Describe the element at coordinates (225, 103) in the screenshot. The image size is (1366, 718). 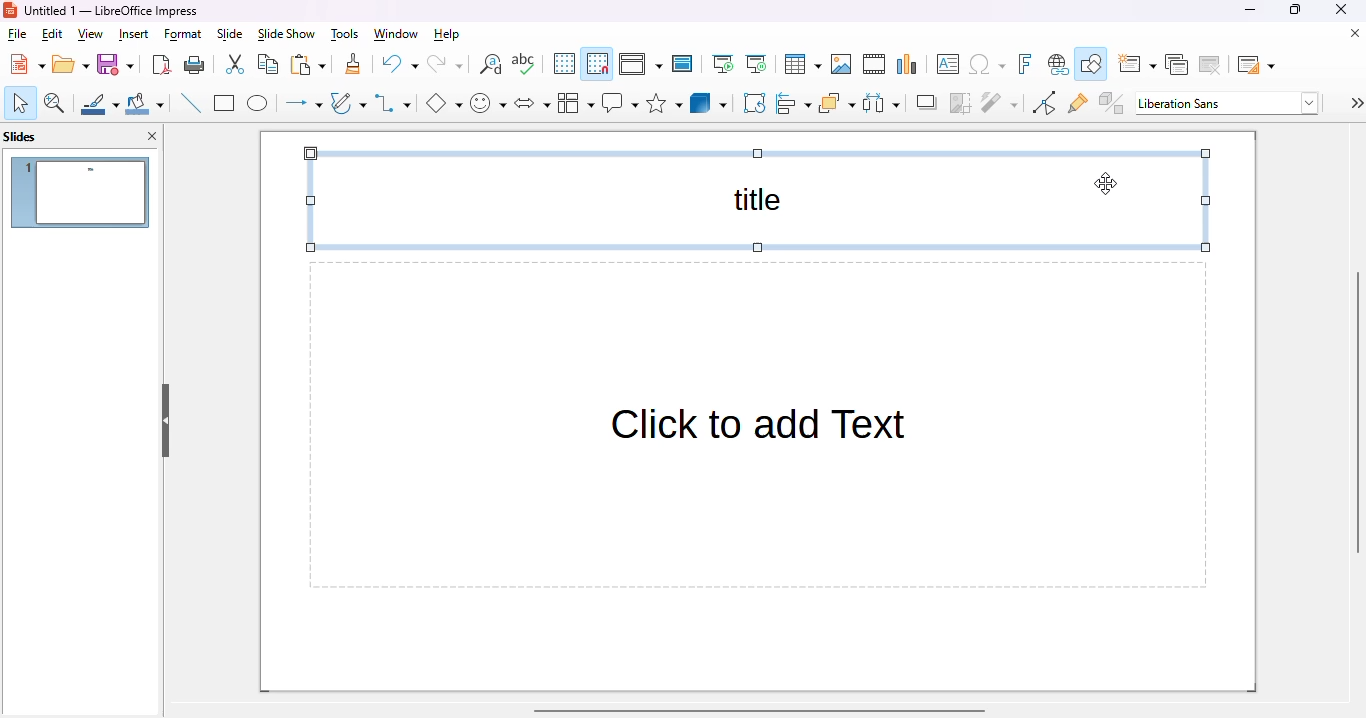
I see `rectangle` at that location.